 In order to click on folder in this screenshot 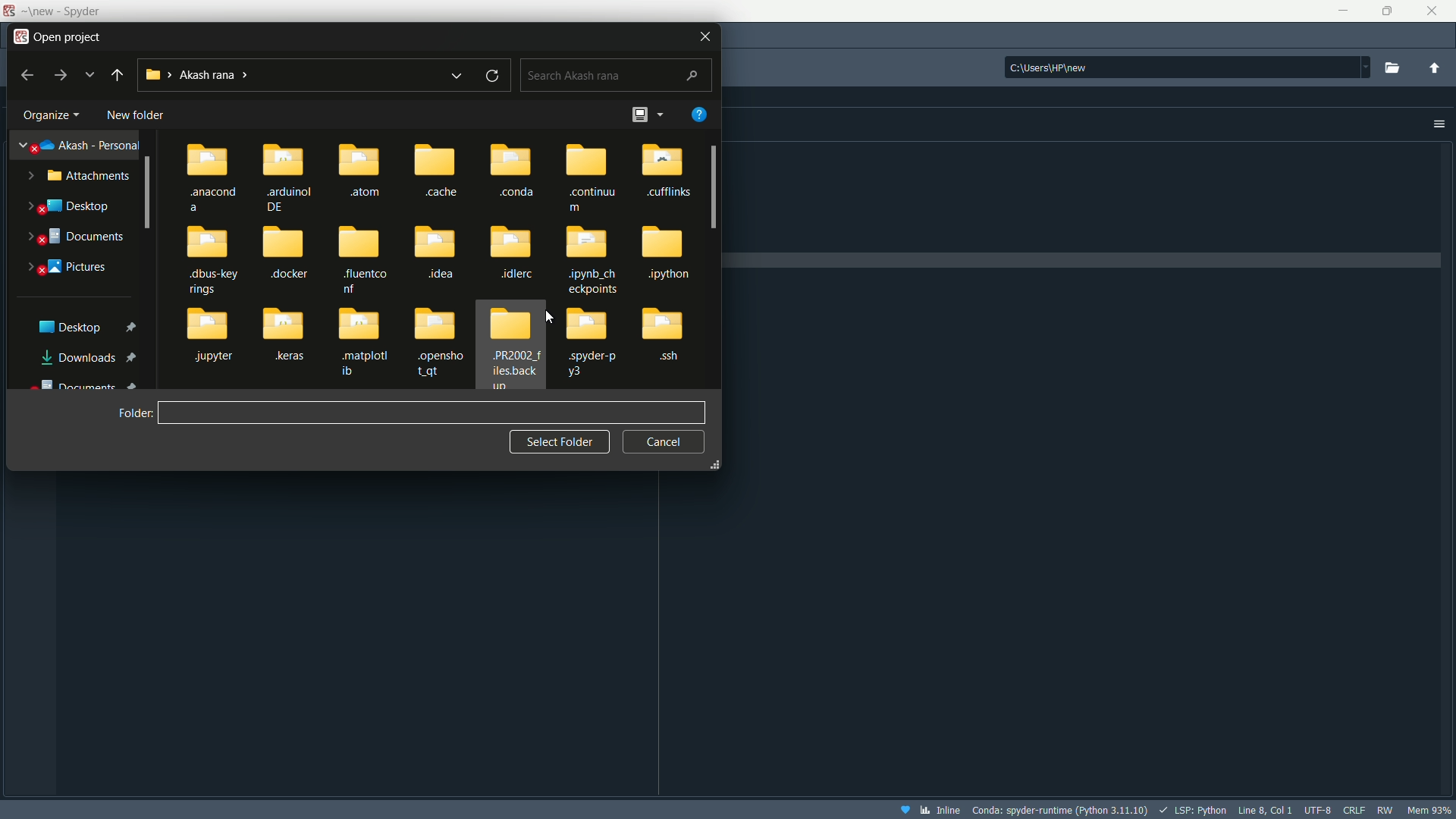, I will do `click(134, 413)`.